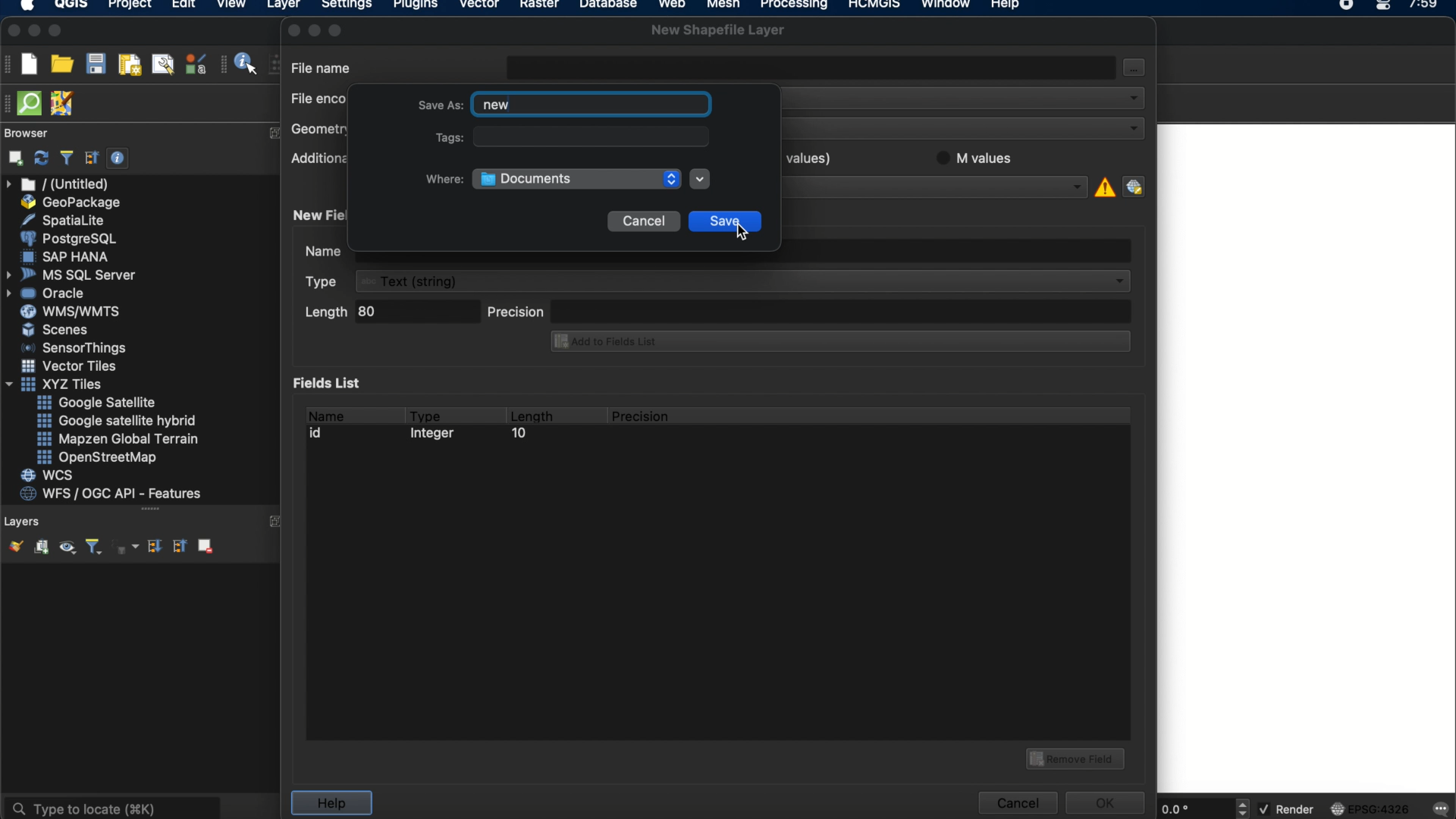 This screenshot has width=1456, height=819. Describe the element at coordinates (49, 476) in the screenshot. I see `wcs` at that location.